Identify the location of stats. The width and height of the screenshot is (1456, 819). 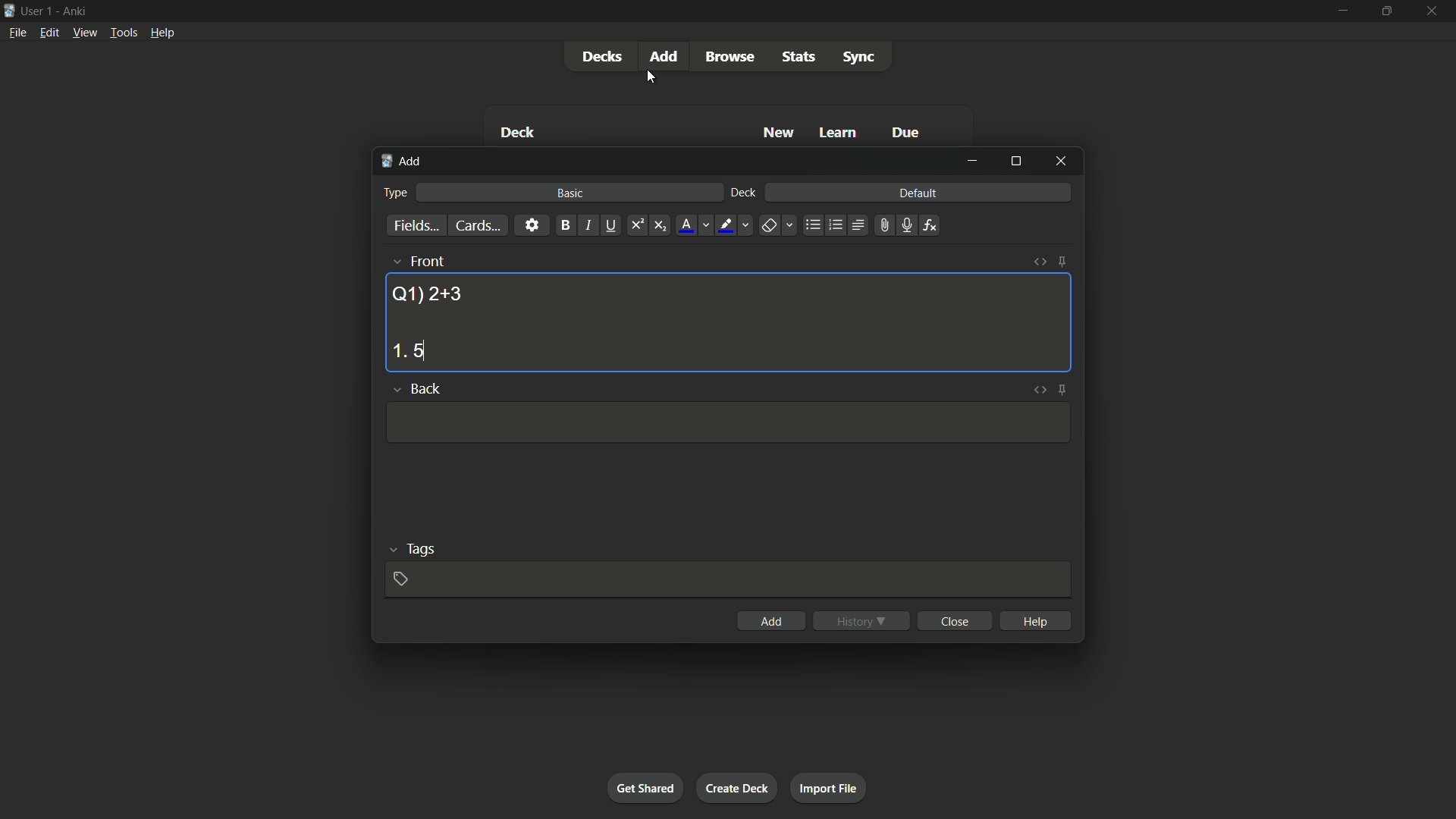
(800, 57).